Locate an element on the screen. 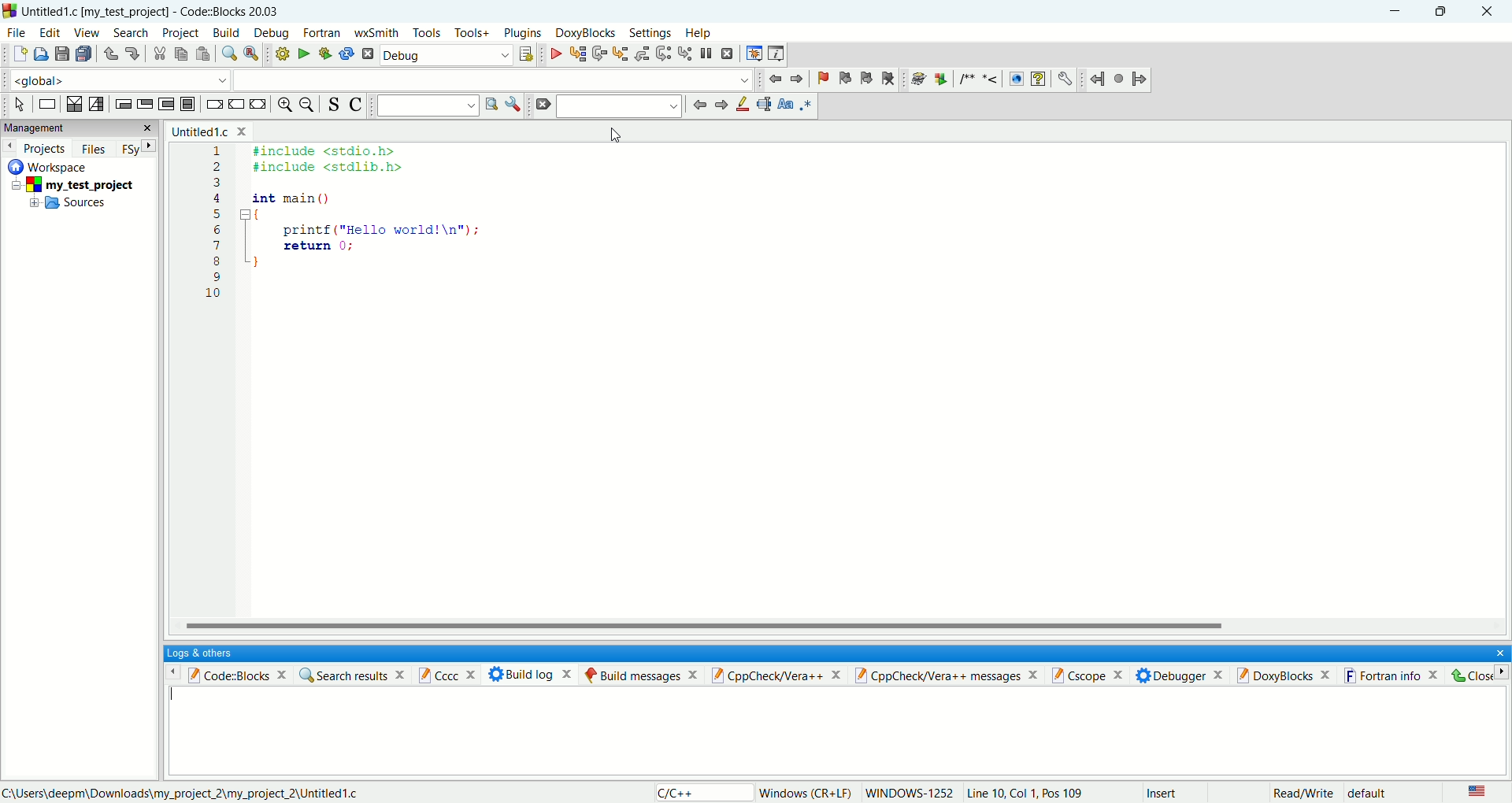 The width and height of the screenshot is (1512, 803). global is located at coordinates (115, 79).